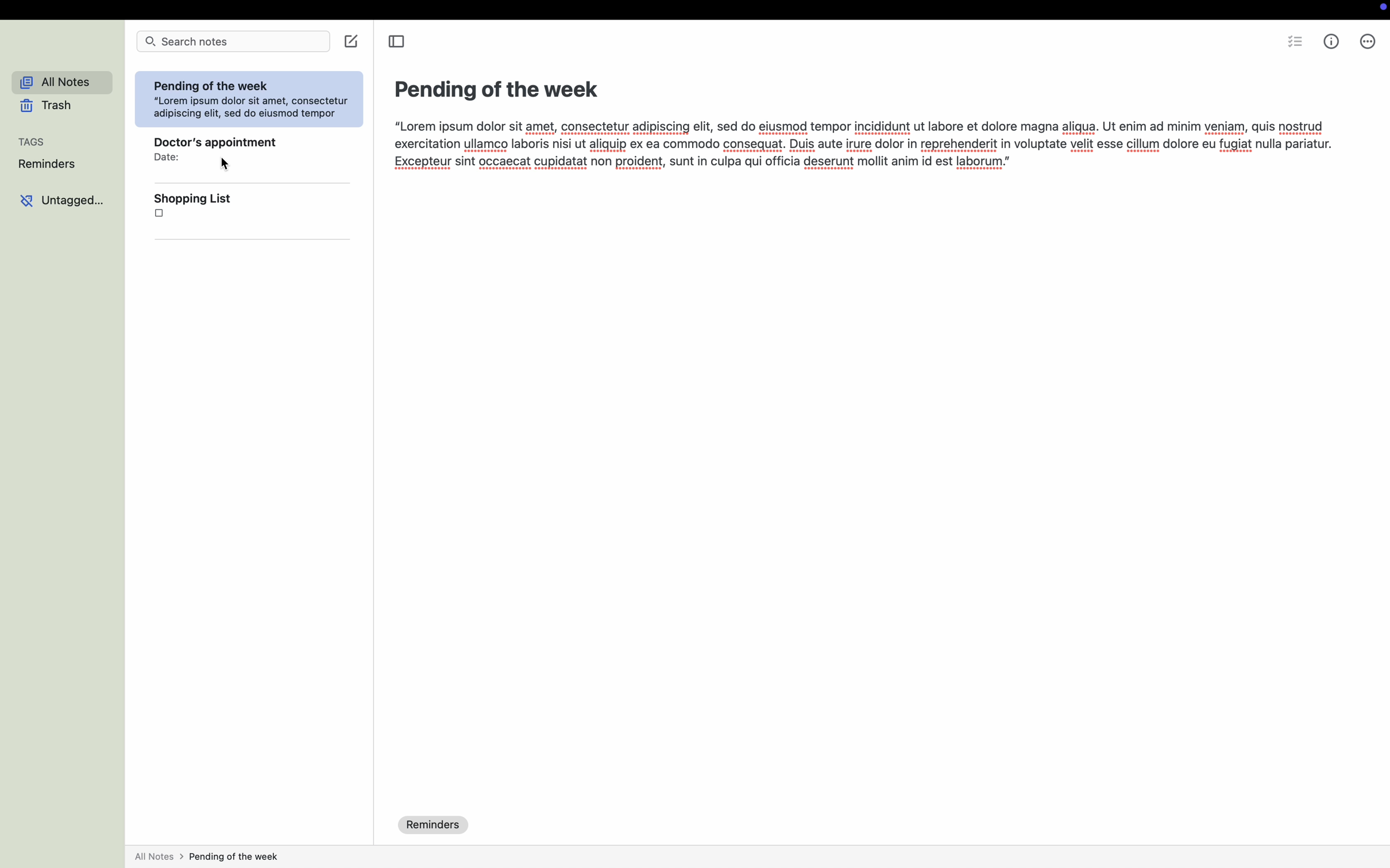  I want to click on create new note, so click(355, 42).